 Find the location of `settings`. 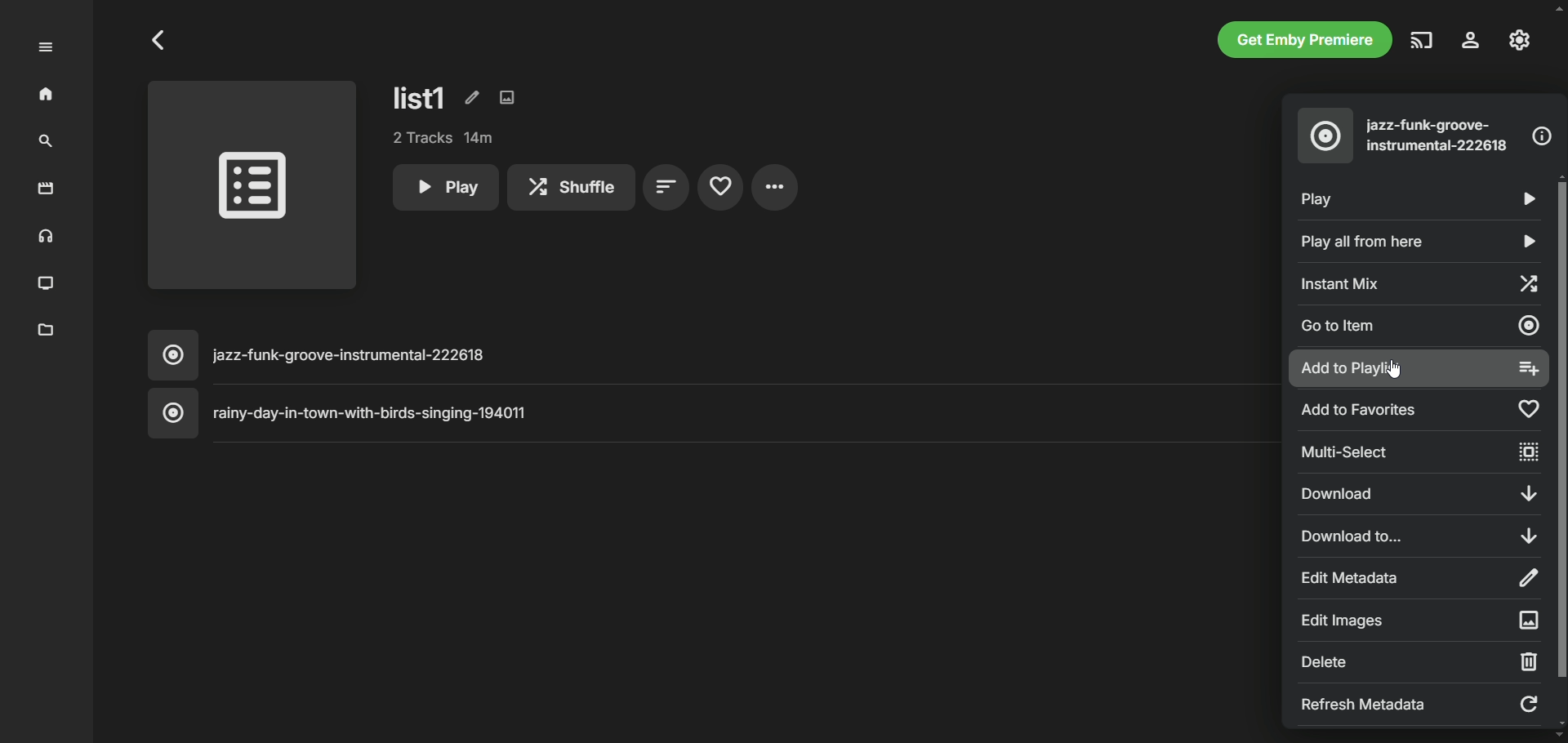

settings is located at coordinates (1472, 40).